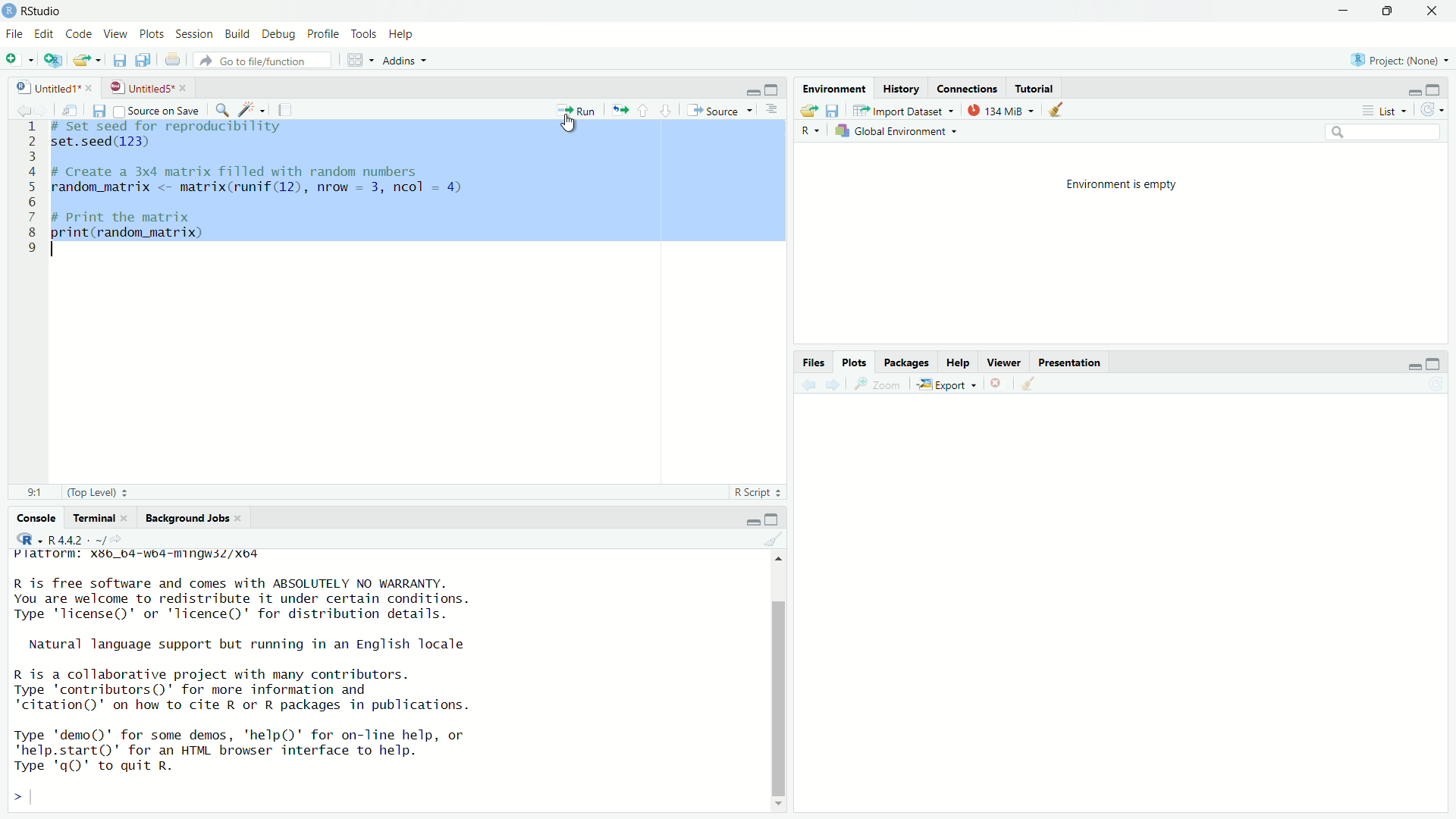 This screenshot has width=1456, height=819. I want to click on search, so click(224, 107).